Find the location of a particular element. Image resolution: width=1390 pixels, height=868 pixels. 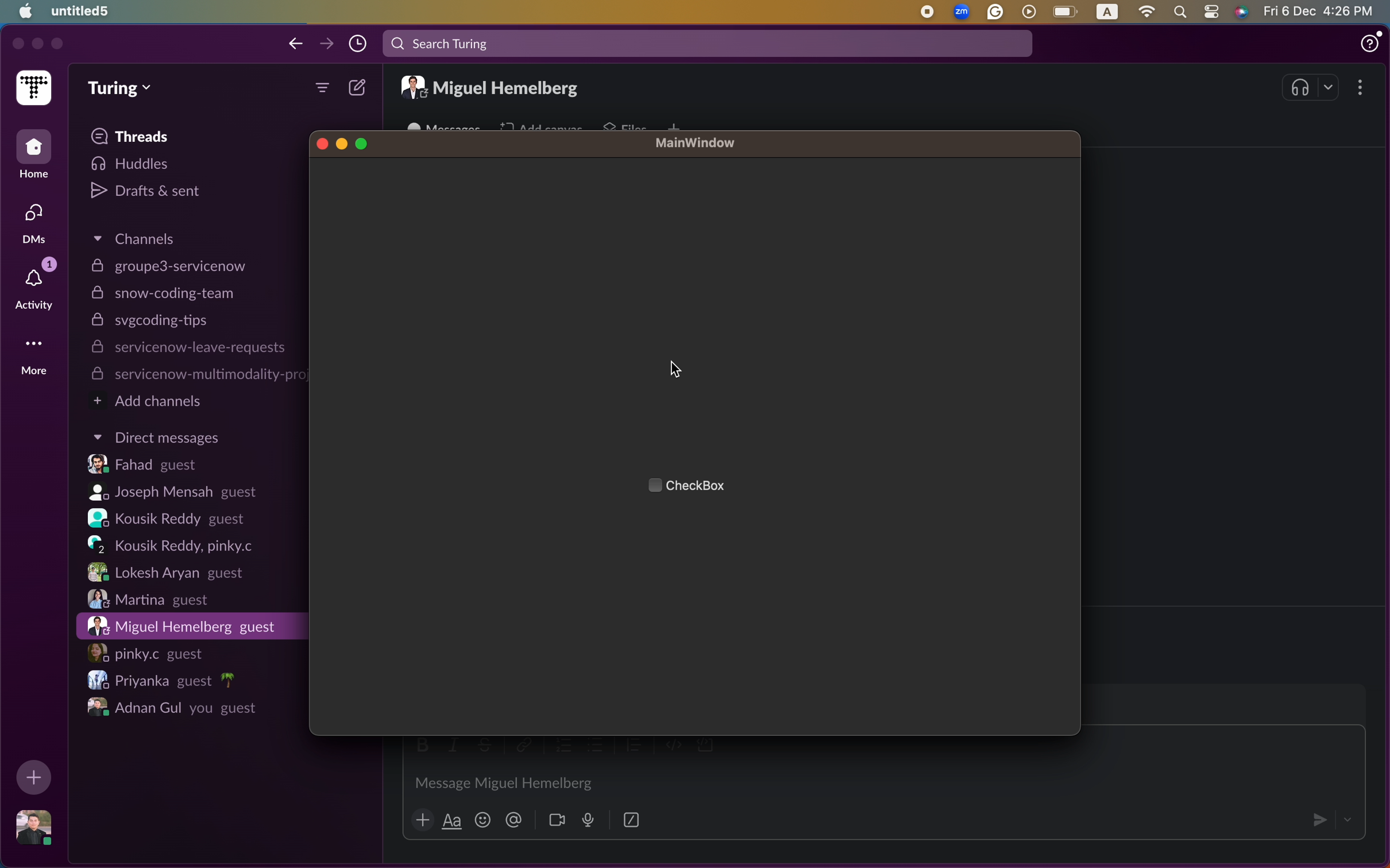

Video is located at coordinates (557, 820).